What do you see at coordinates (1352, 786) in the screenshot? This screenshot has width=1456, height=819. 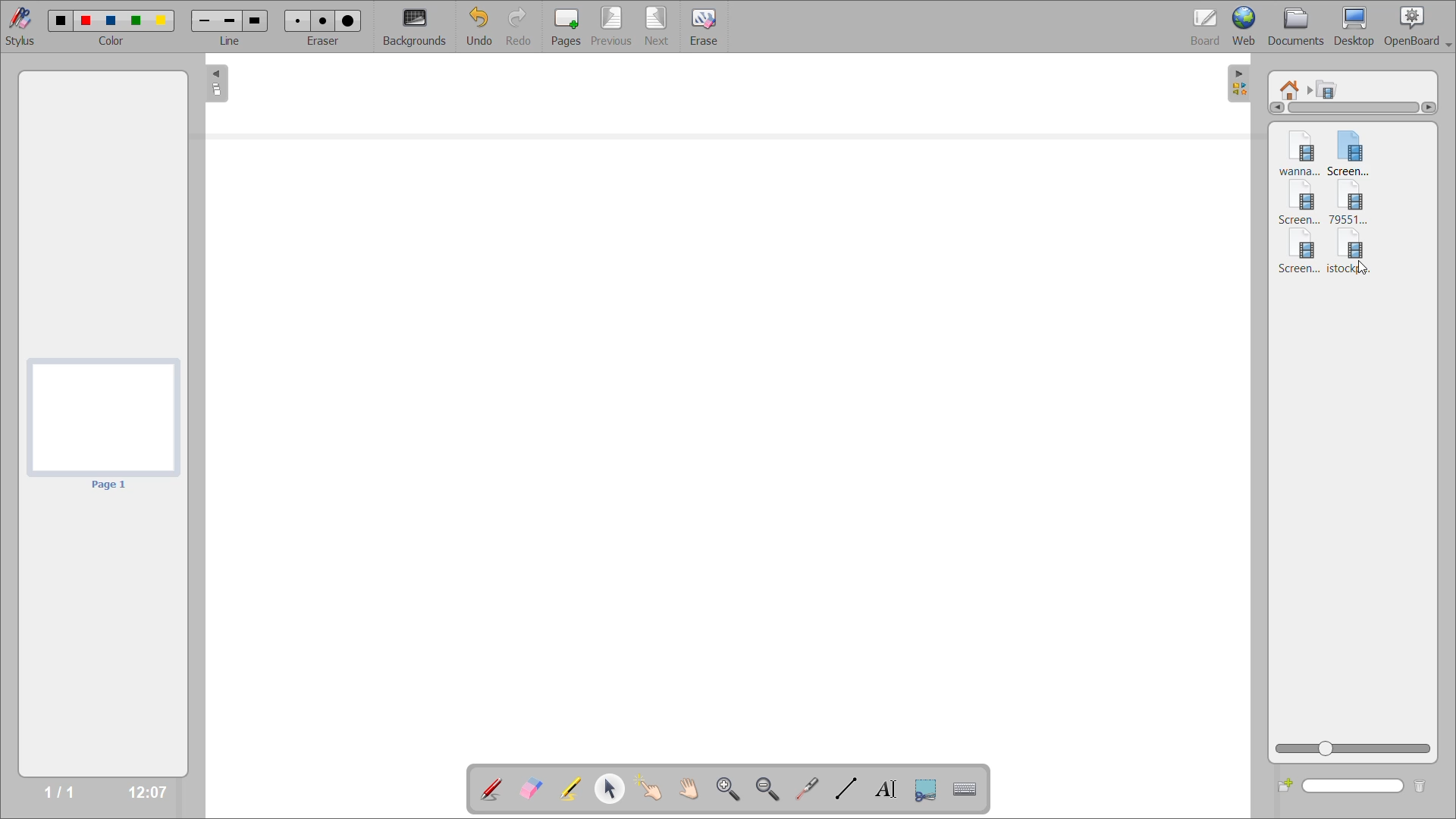 I see `name box` at bounding box center [1352, 786].